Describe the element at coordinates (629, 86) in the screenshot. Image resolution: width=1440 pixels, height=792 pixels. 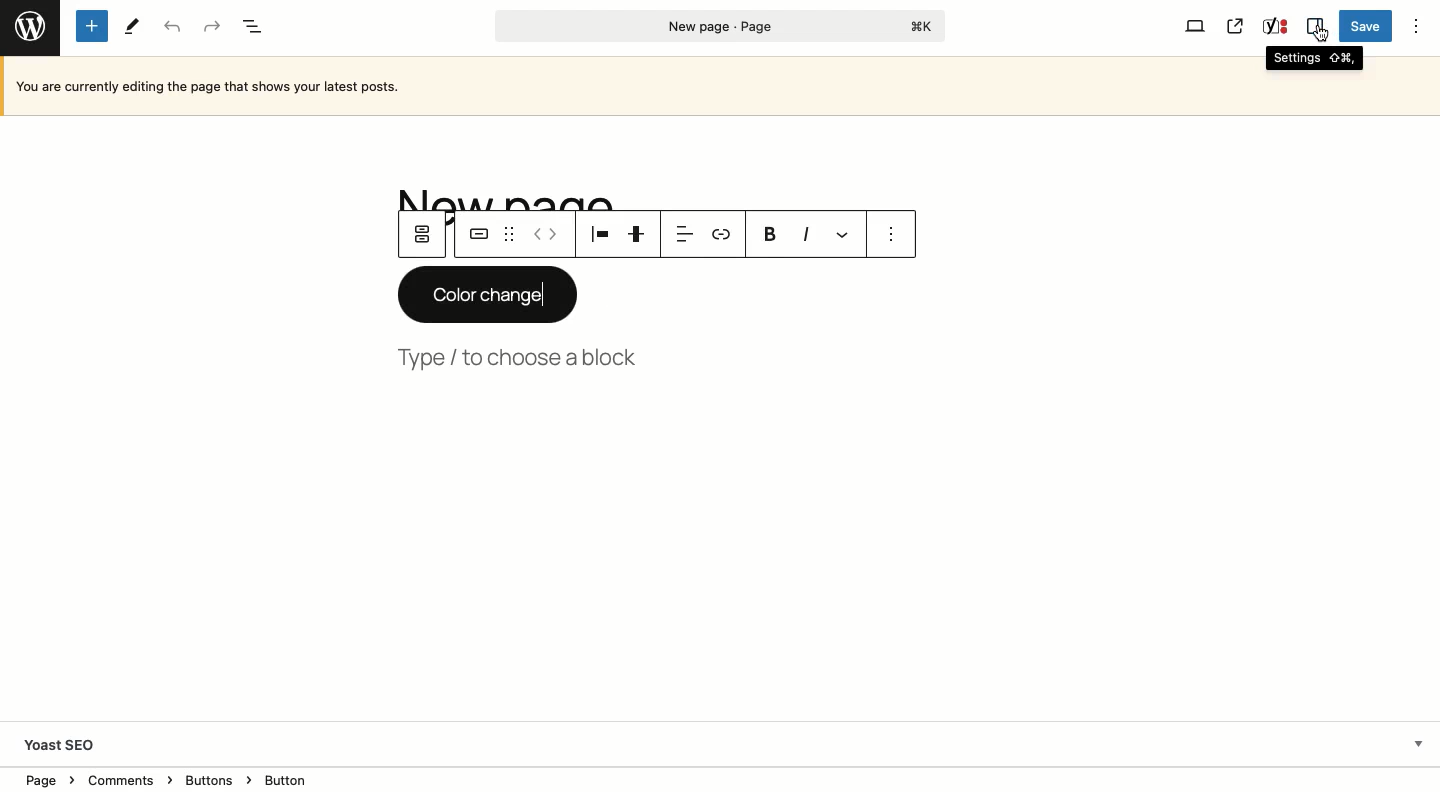
I see `Currently editing the page that show your latest posts` at that location.